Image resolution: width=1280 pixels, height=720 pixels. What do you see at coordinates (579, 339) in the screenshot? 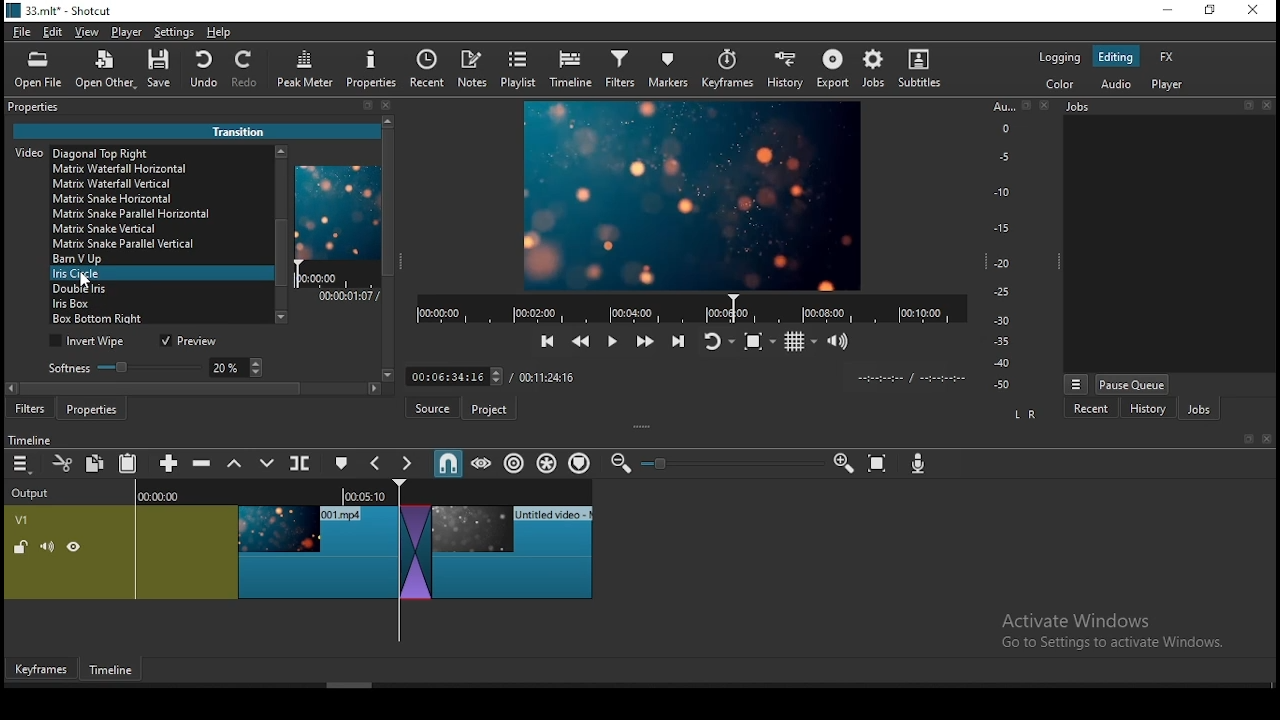
I see `play quickly backward` at bounding box center [579, 339].